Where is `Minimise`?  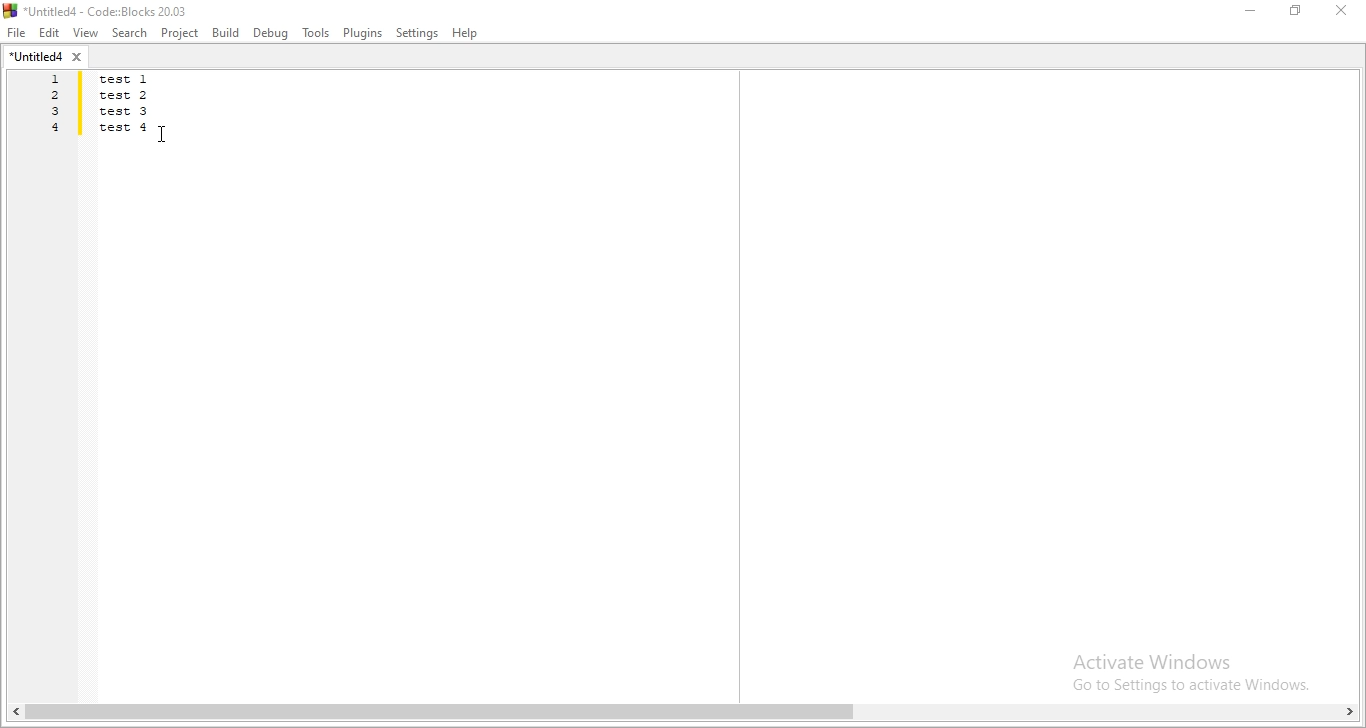
Minimise is located at coordinates (1249, 12).